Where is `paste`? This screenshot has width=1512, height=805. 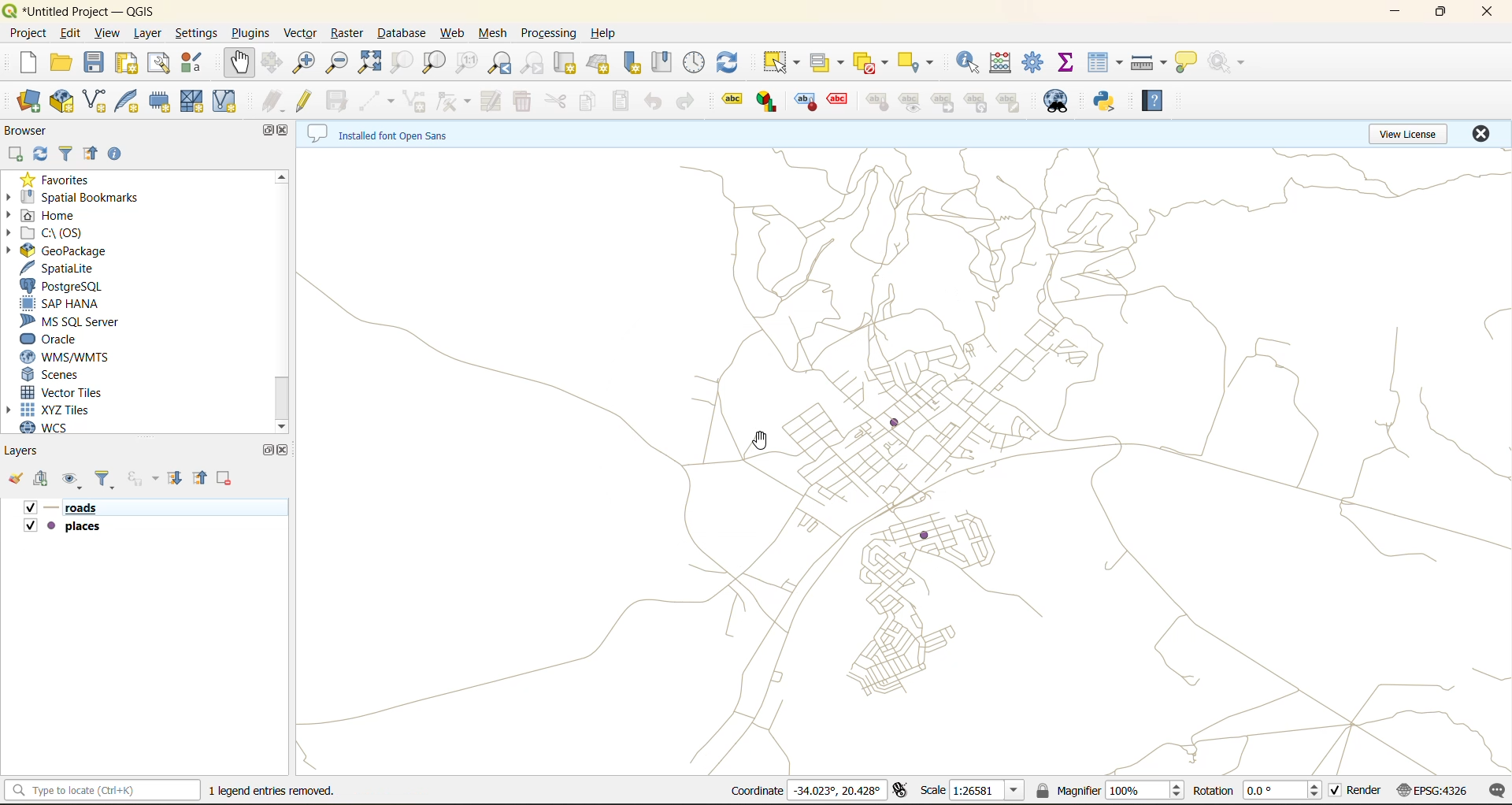
paste is located at coordinates (624, 102).